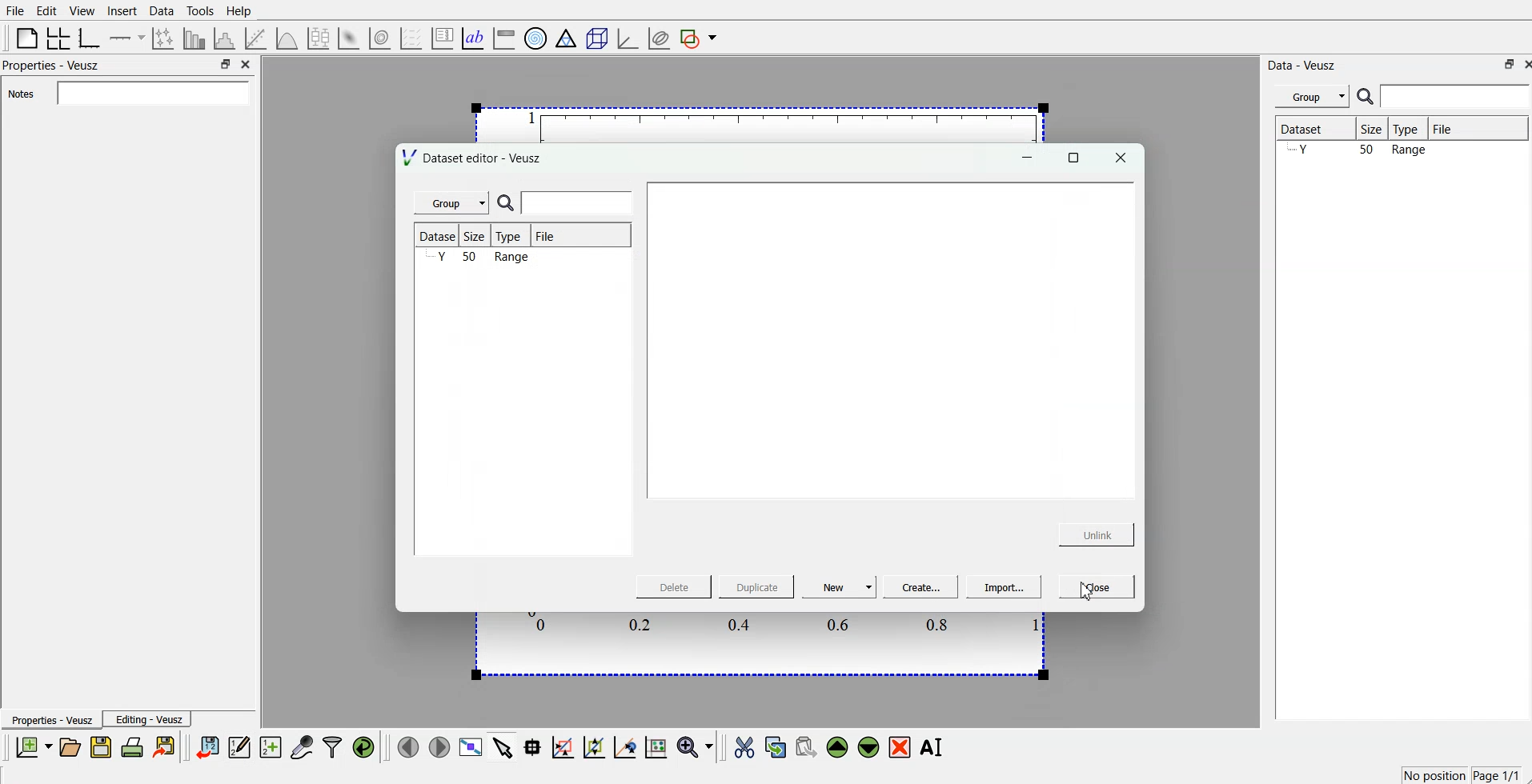  I want to click on blank page, so click(24, 38).